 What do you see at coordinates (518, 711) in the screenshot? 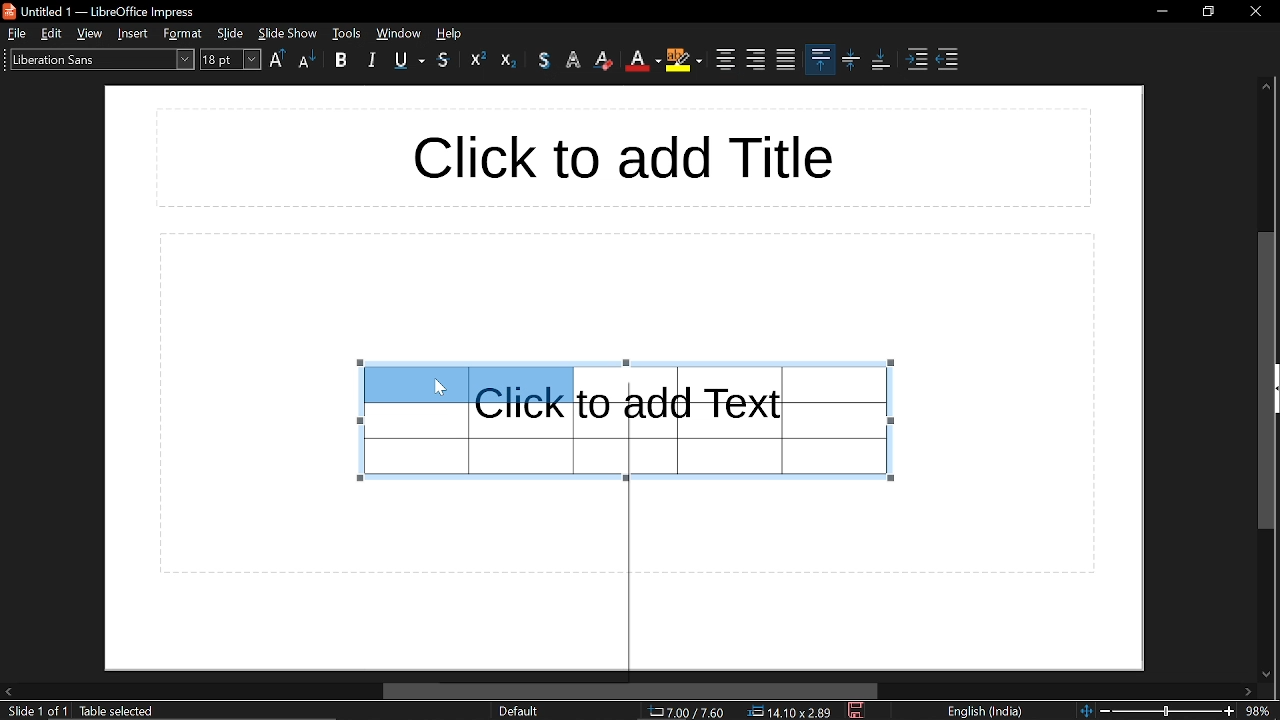
I see `slide format` at bounding box center [518, 711].